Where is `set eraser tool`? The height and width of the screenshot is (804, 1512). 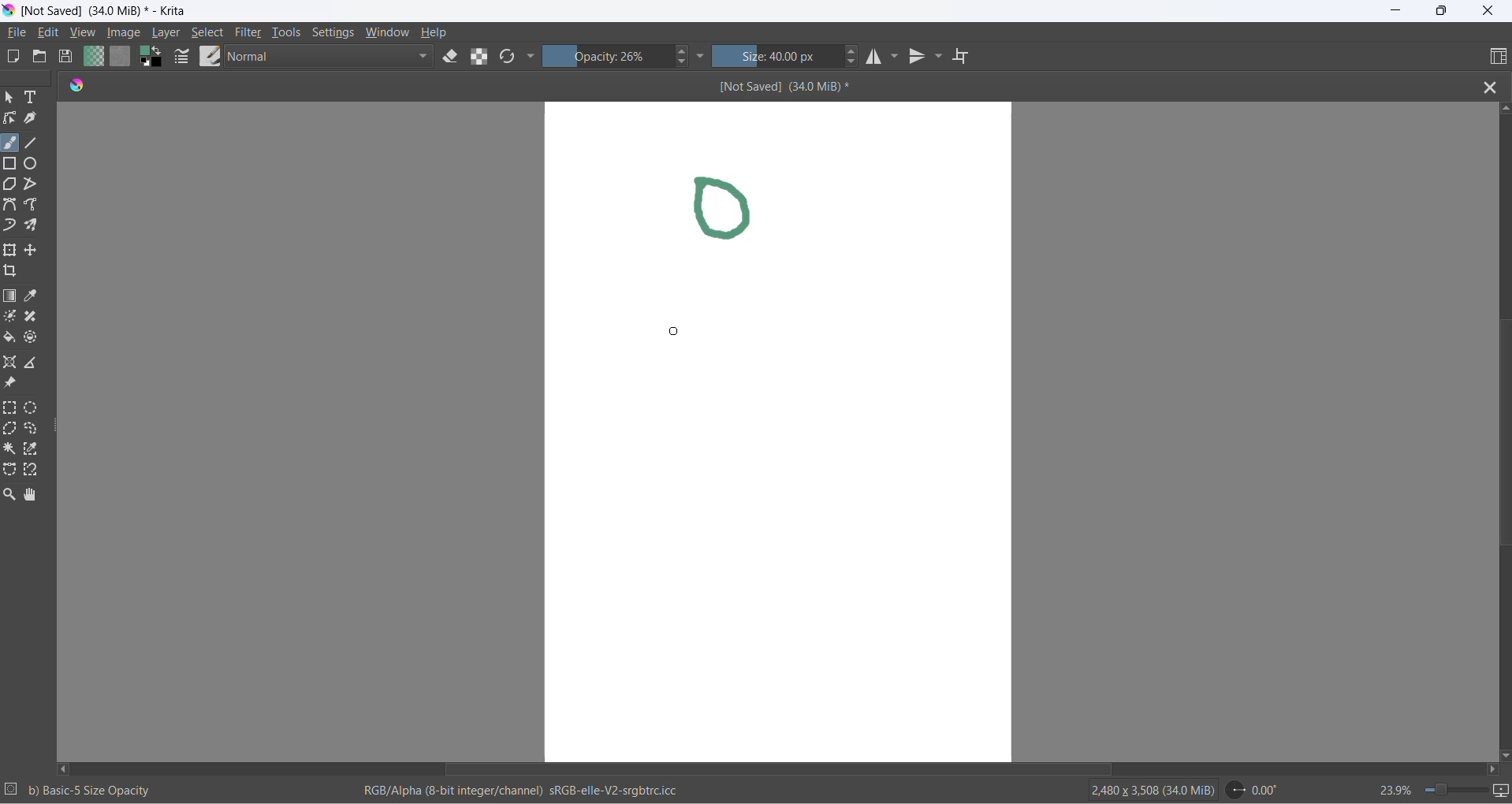 set eraser tool is located at coordinates (451, 57).